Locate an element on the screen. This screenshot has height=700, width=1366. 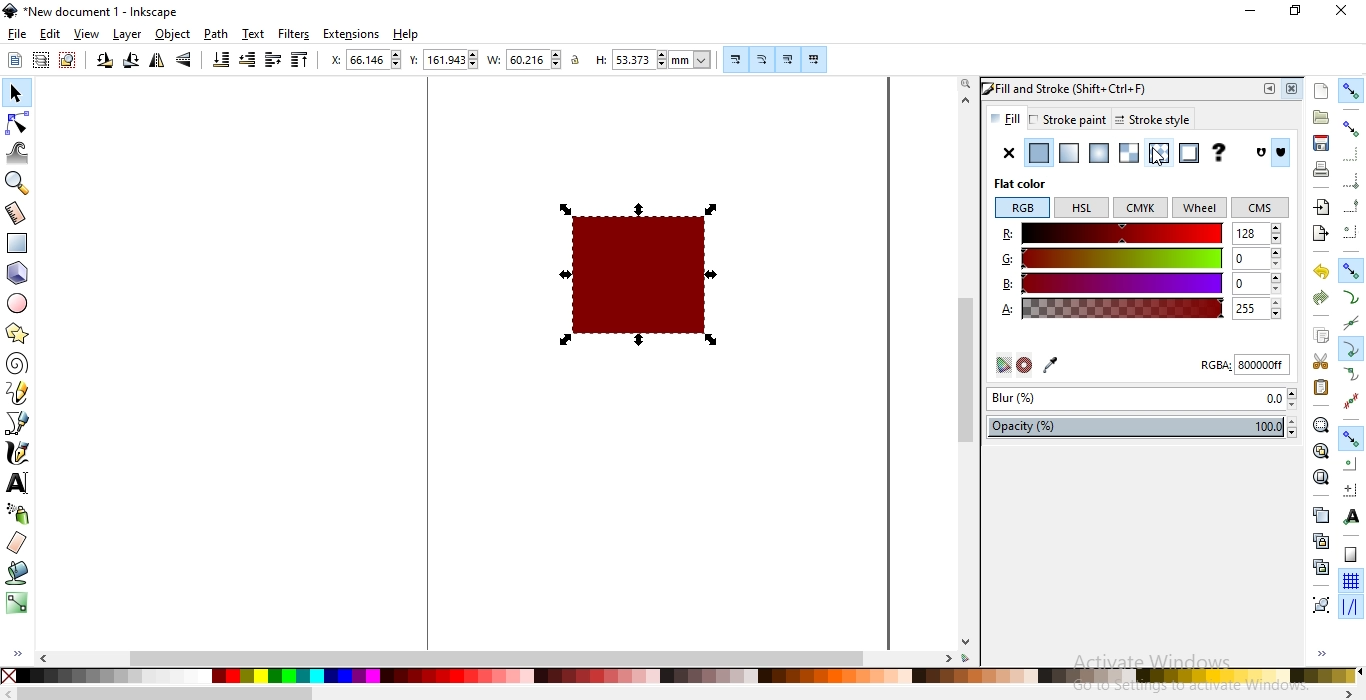
RGBA is located at coordinates (1244, 367).